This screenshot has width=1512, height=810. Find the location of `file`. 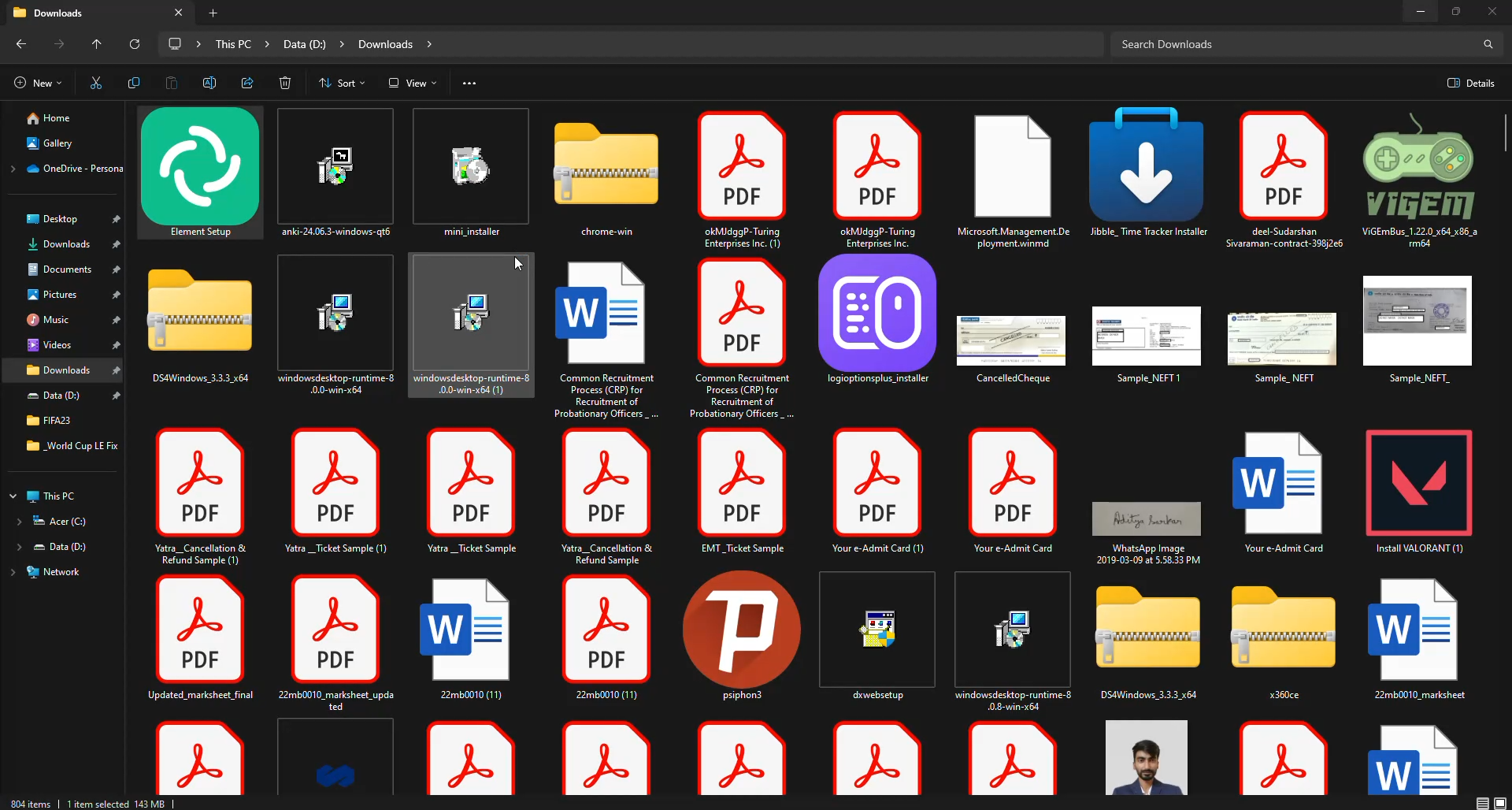

file is located at coordinates (621, 336).